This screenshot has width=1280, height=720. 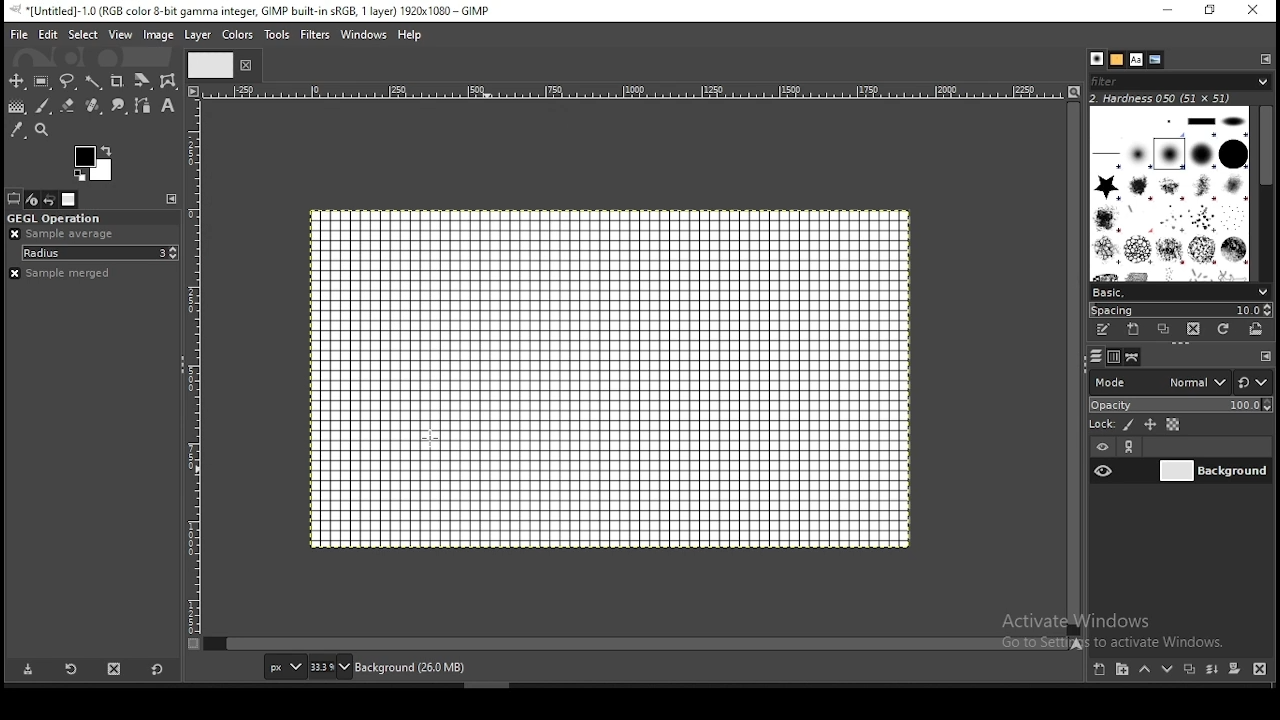 What do you see at coordinates (44, 106) in the screenshot?
I see `brush tool` at bounding box center [44, 106].